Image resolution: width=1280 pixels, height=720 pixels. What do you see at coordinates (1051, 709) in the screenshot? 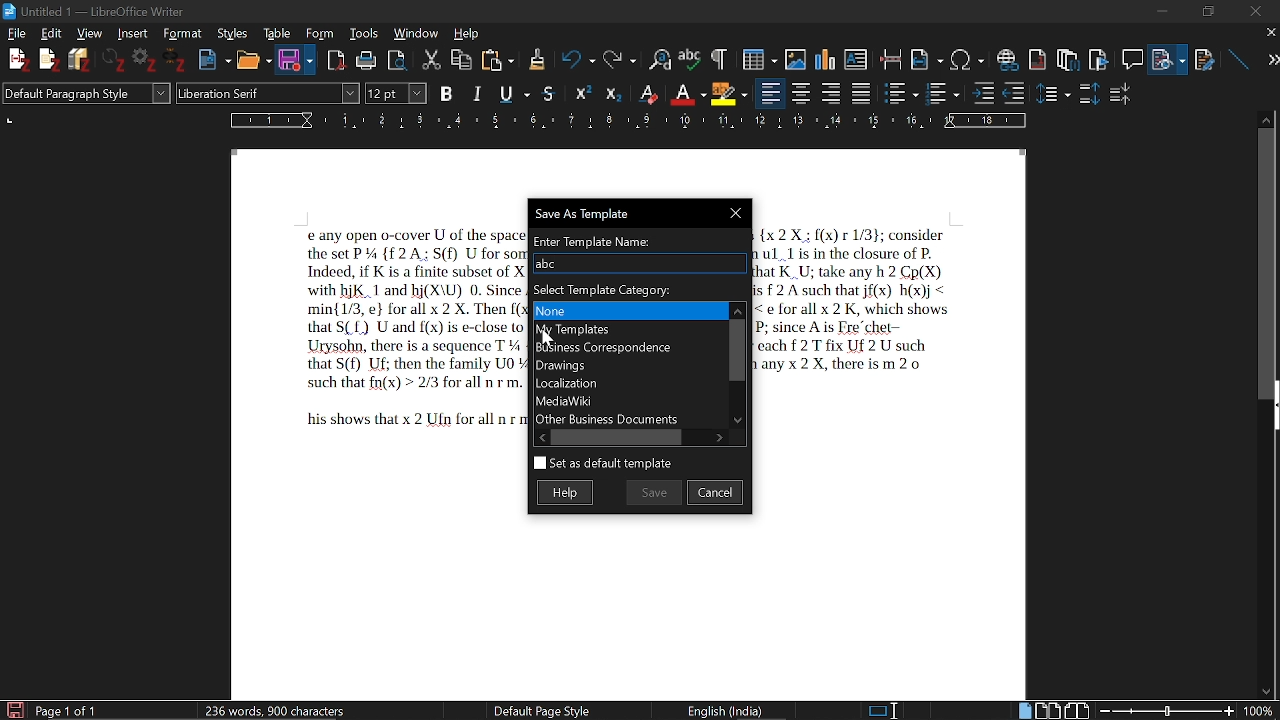
I see `Multiple pages` at bounding box center [1051, 709].